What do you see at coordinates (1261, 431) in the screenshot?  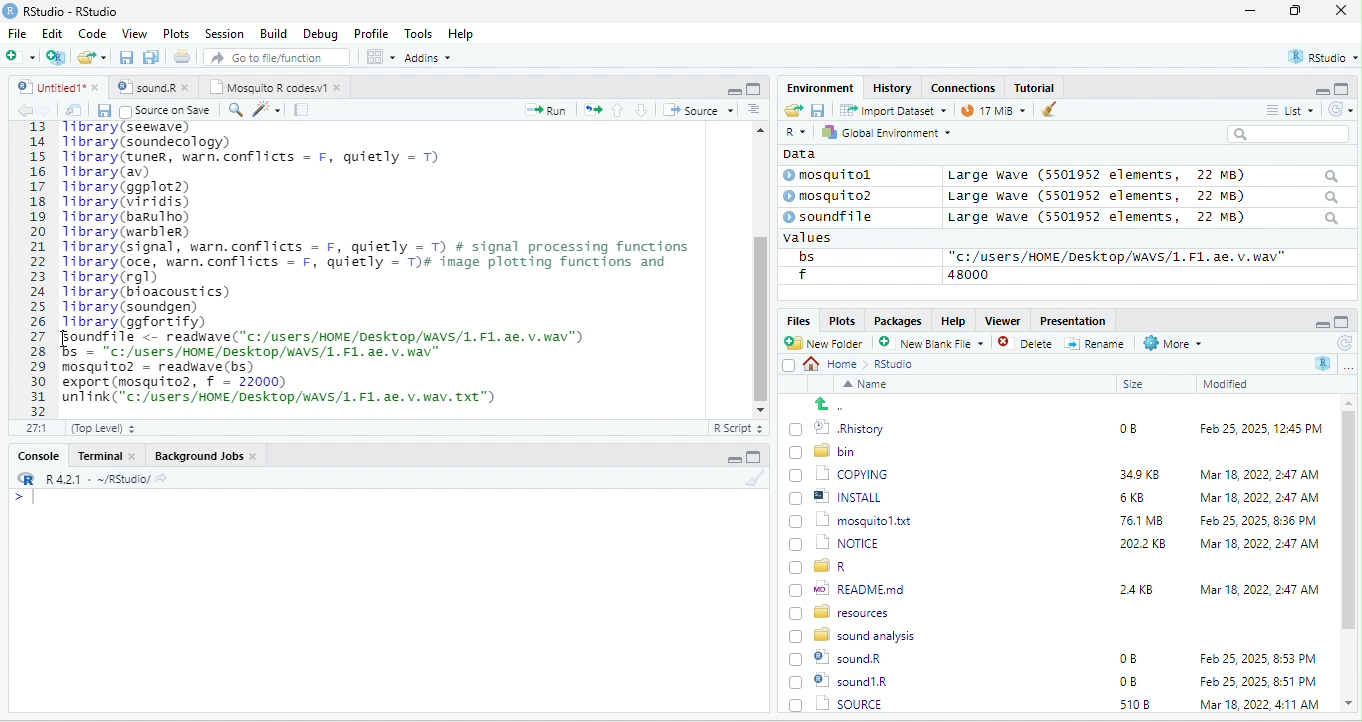 I see `Feb 25, 2025, 12:45 PM` at bounding box center [1261, 431].